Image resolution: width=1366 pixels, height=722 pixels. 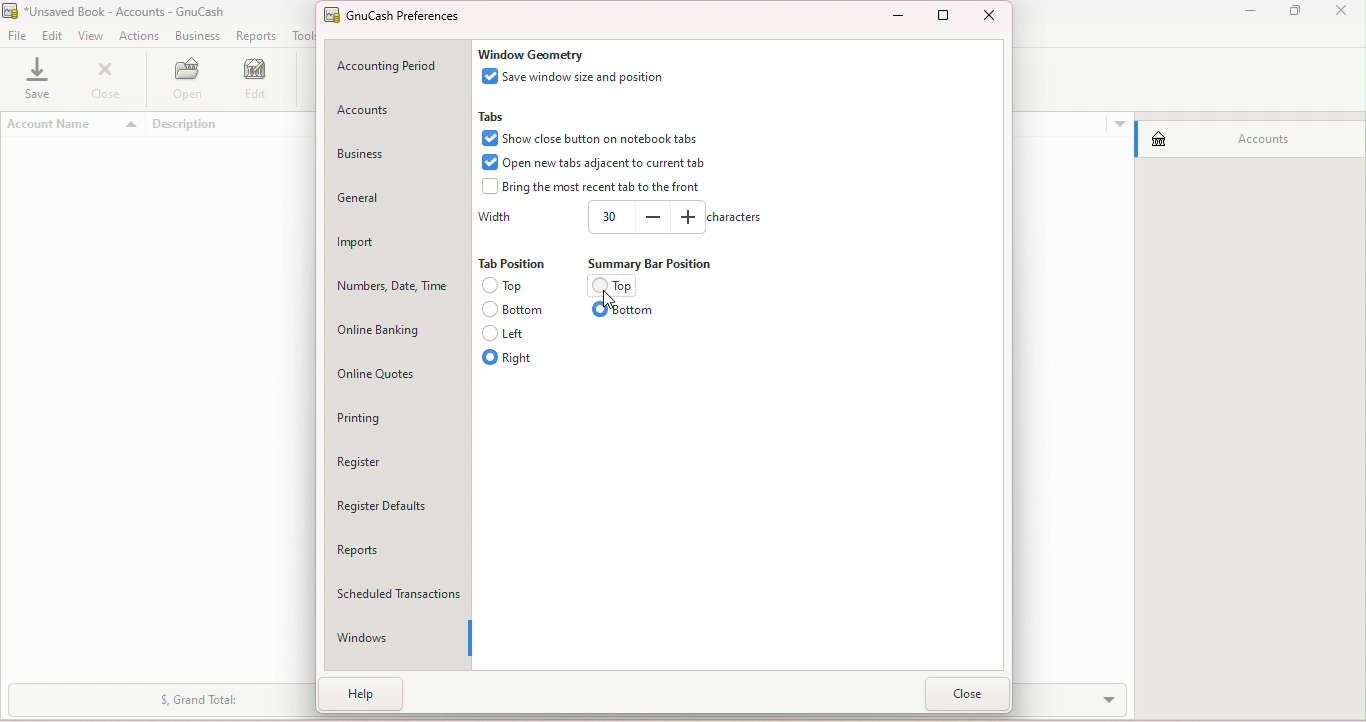 What do you see at coordinates (578, 77) in the screenshot?
I see `Save window size and position` at bounding box center [578, 77].